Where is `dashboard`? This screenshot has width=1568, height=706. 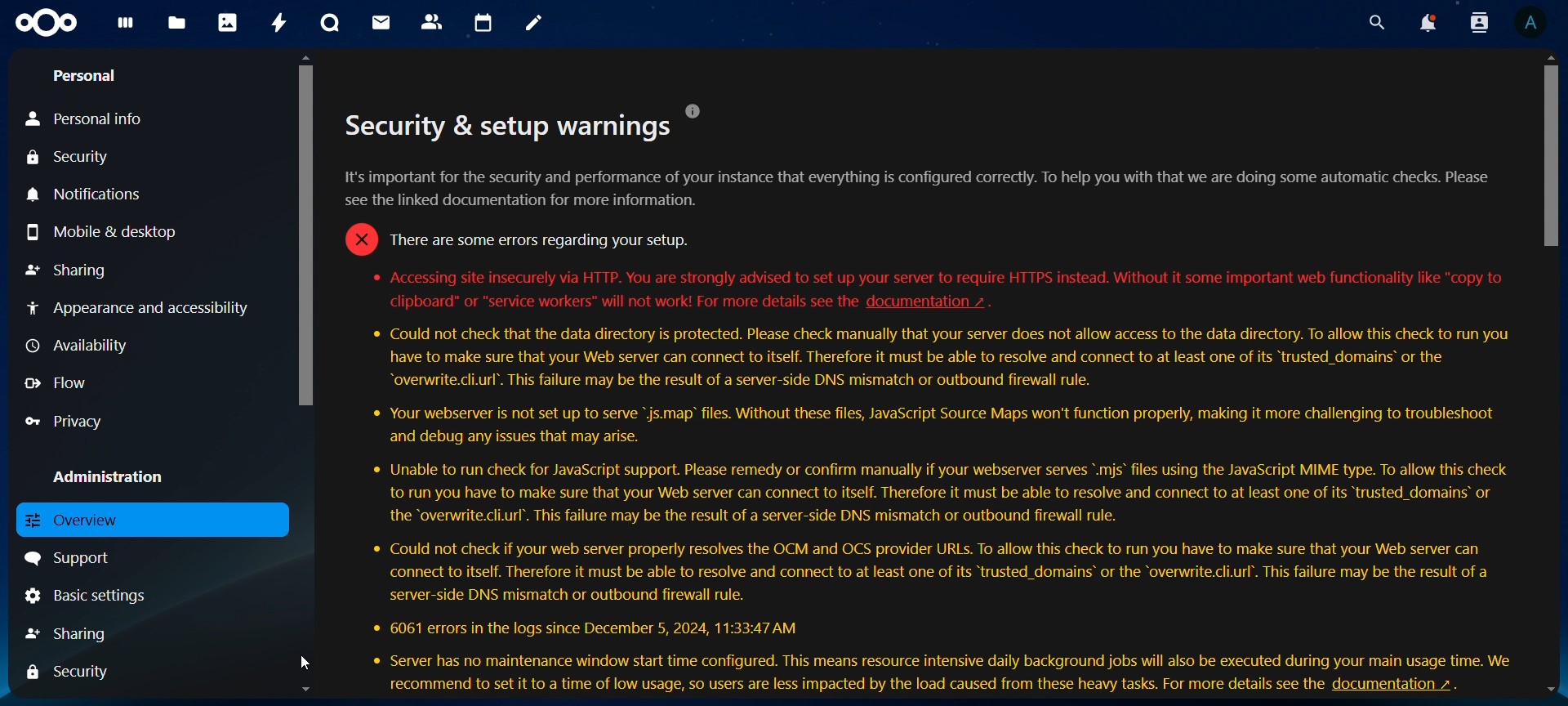
dashboard is located at coordinates (124, 26).